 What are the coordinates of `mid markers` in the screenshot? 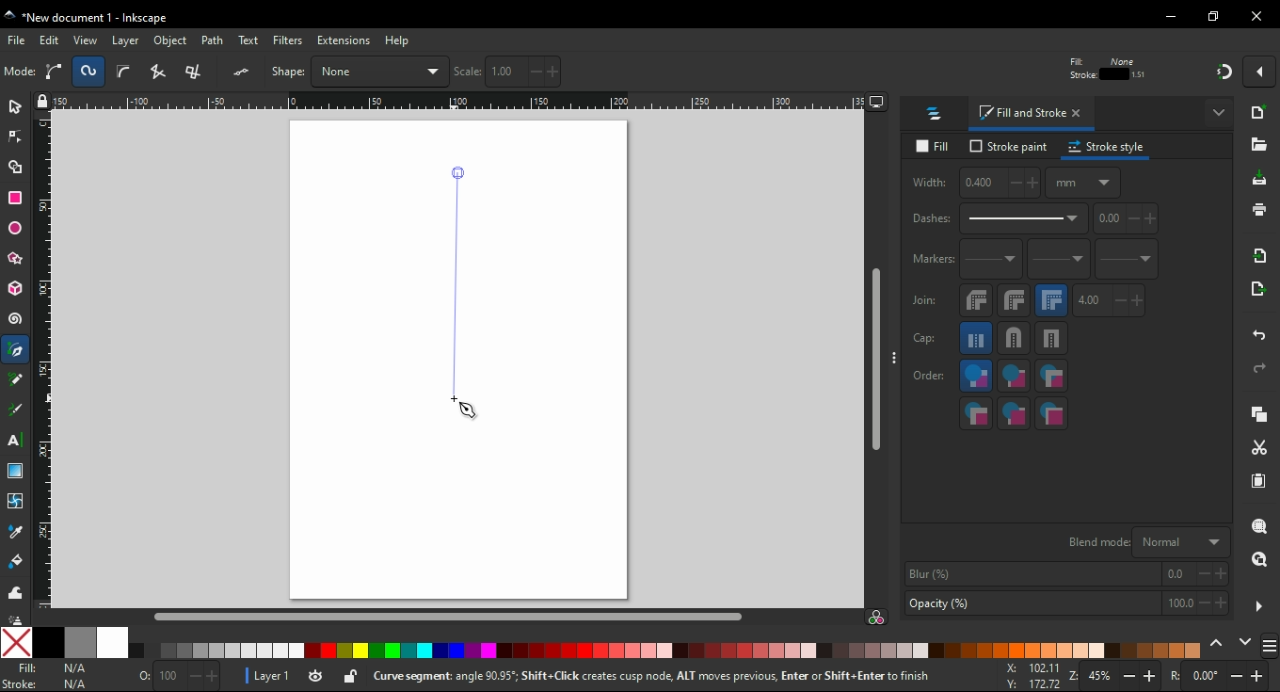 It's located at (1058, 260).